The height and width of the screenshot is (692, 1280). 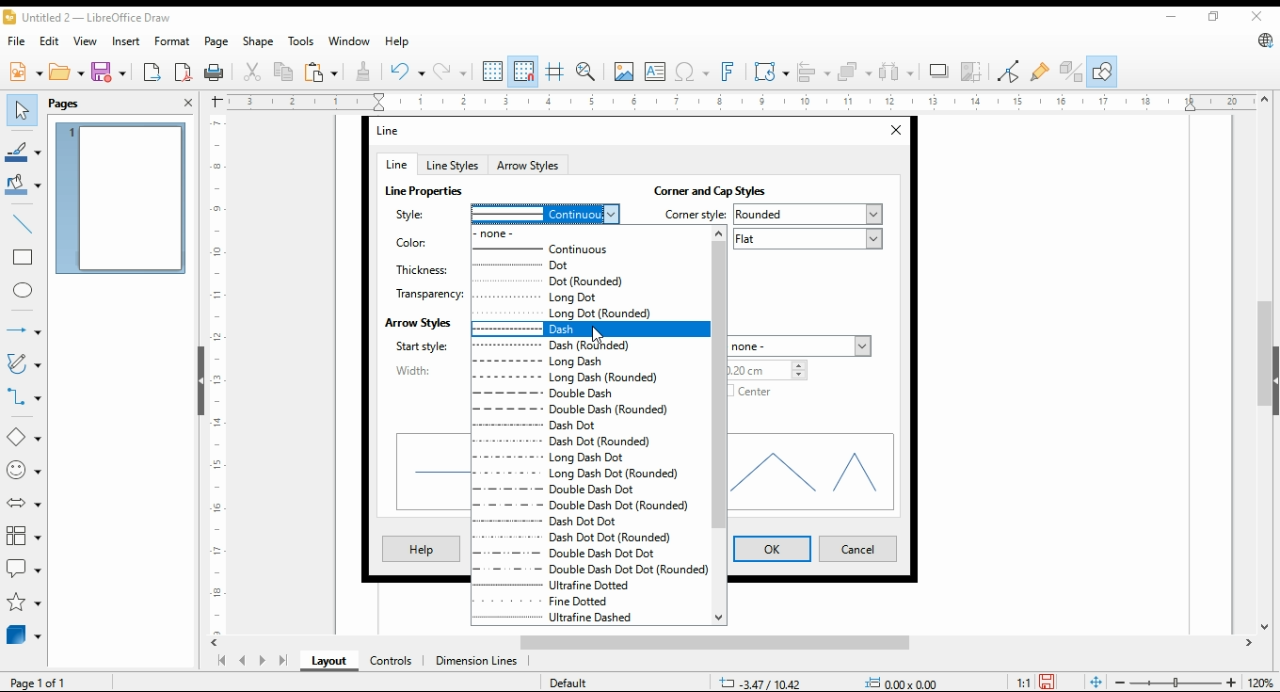 What do you see at coordinates (1023, 681) in the screenshot?
I see `1:1` at bounding box center [1023, 681].